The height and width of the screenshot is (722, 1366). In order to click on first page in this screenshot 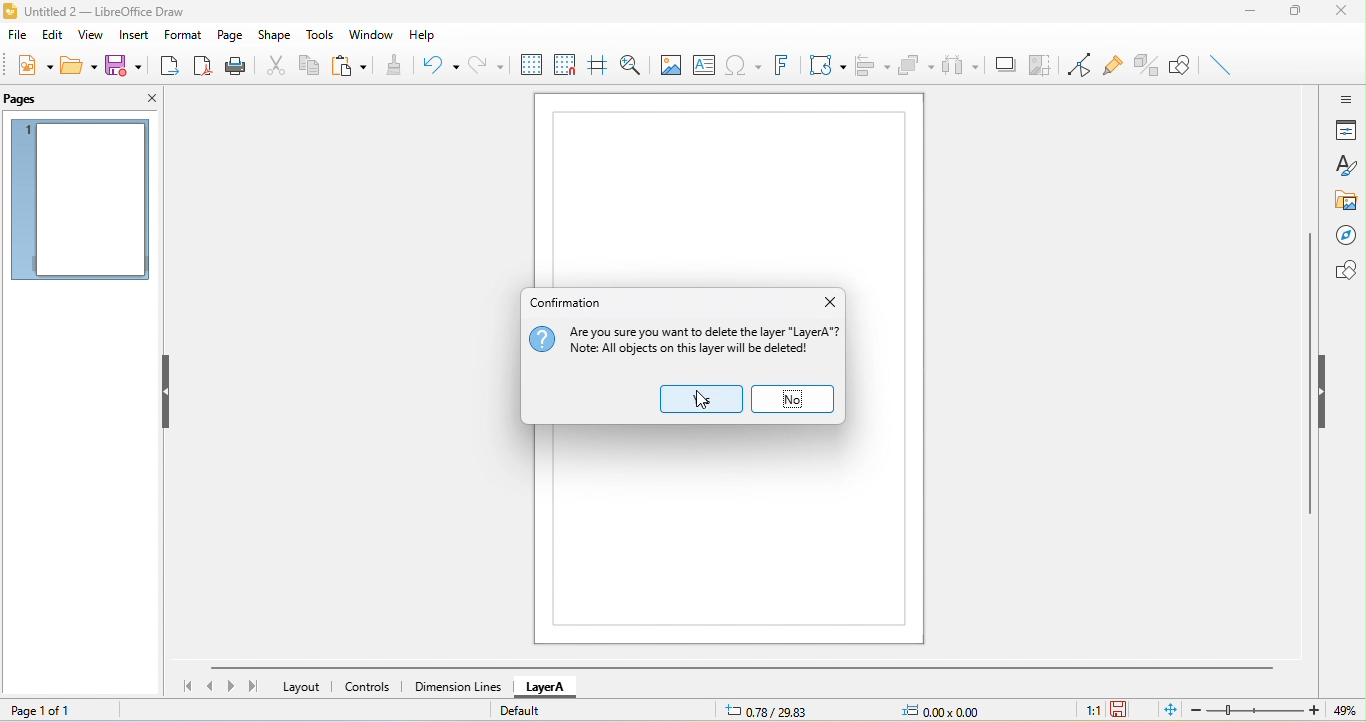, I will do `click(187, 688)`.